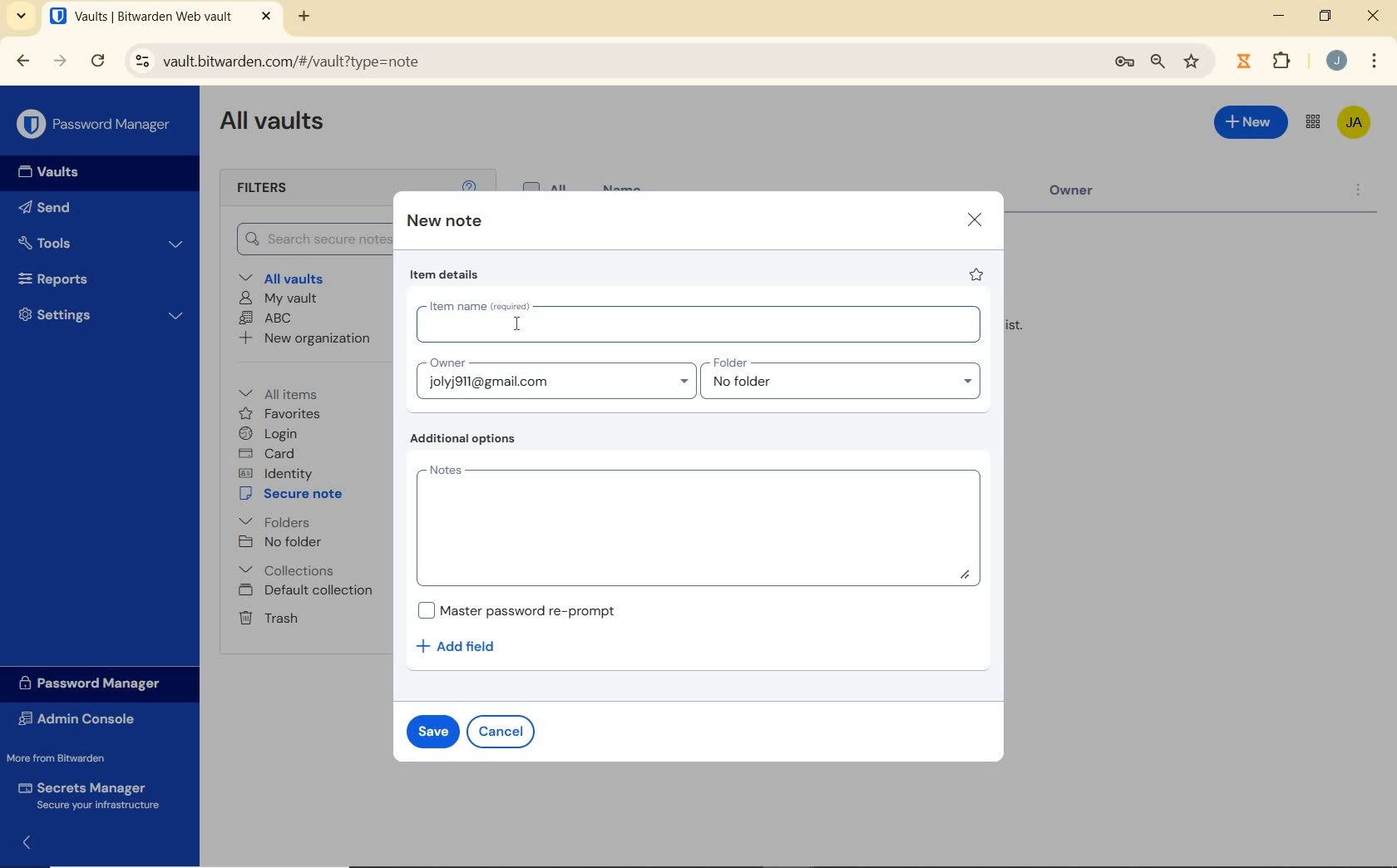 The image size is (1397, 868). Describe the element at coordinates (697, 523) in the screenshot. I see `notes` at that location.